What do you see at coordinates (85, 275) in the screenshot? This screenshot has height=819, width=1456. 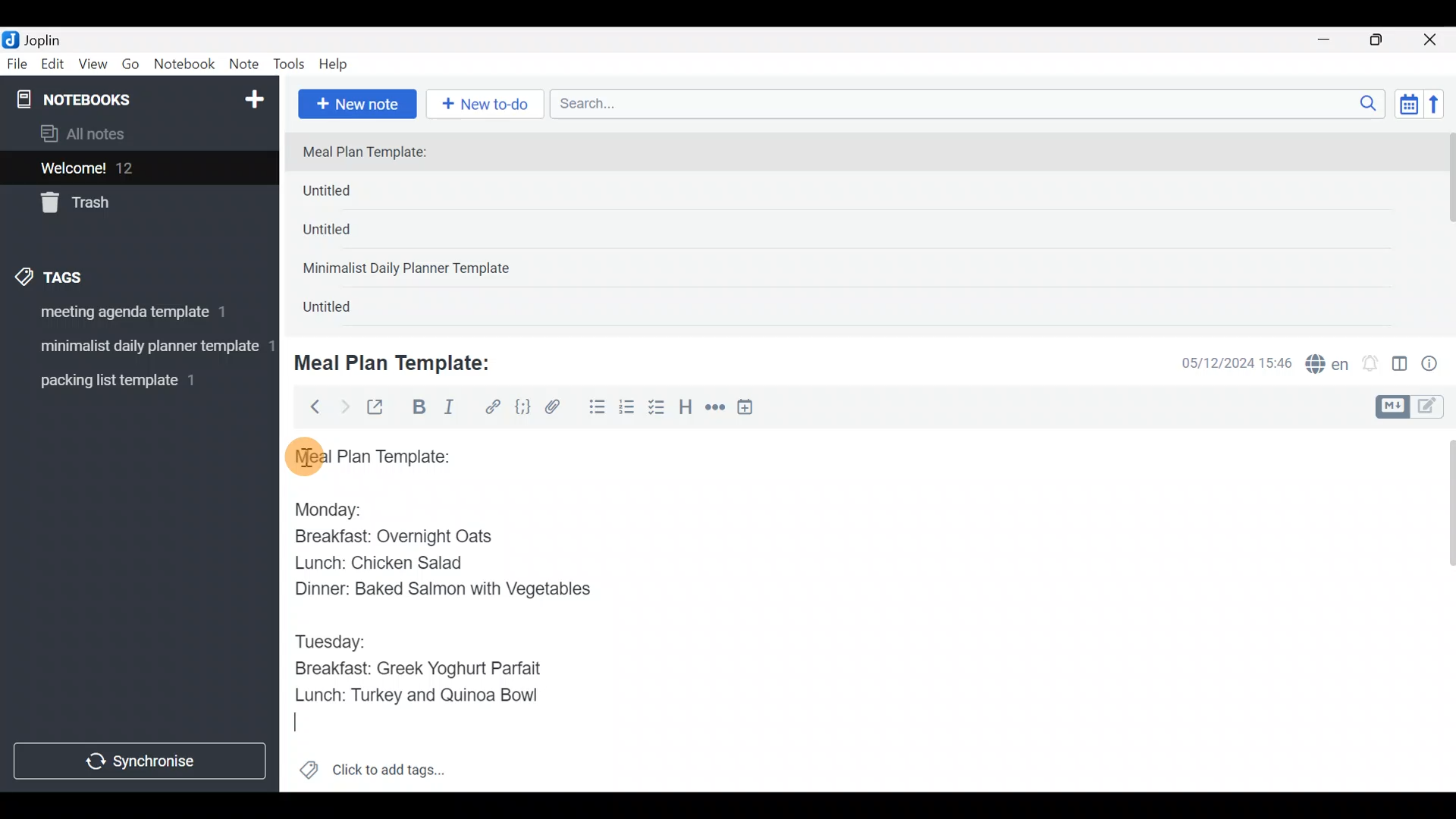 I see `Tags` at bounding box center [85, 275].